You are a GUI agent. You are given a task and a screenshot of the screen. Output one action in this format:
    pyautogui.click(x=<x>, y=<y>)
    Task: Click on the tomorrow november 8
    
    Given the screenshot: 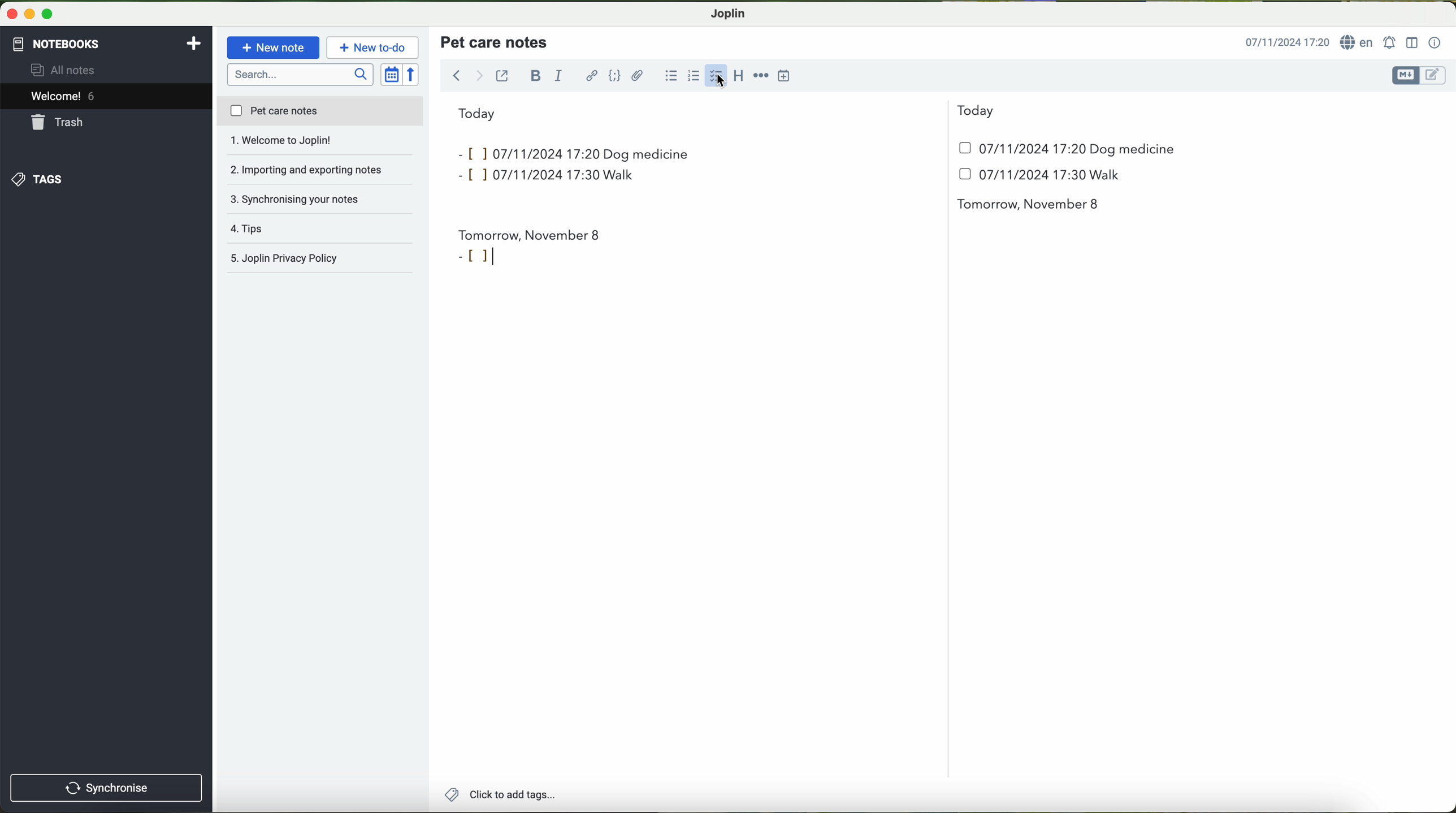 What is the action you would take?
    pyautogui.click(x=1030, y=205)
    